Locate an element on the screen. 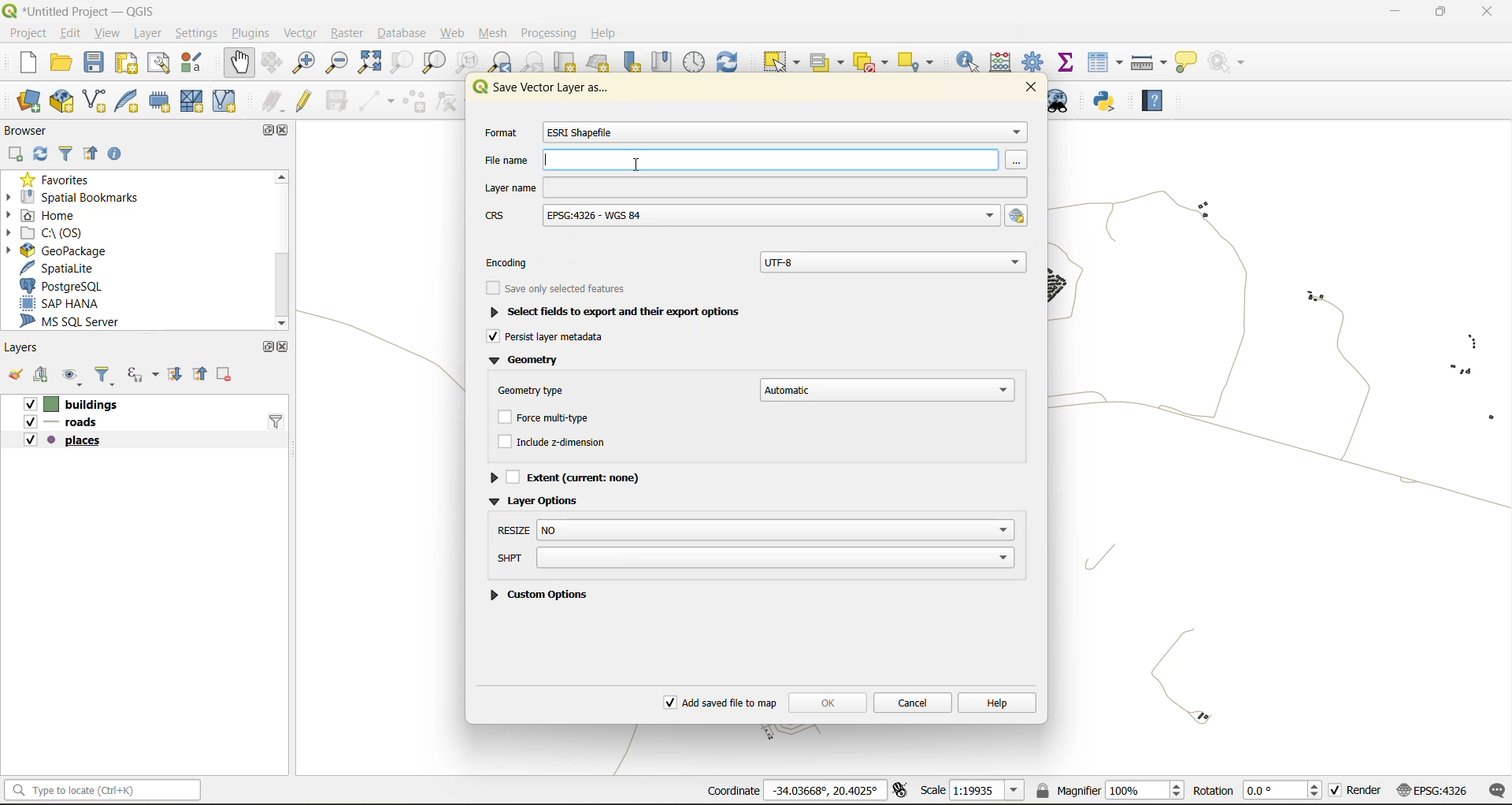 The image size is (1512, 805). Resize is located at coordinates (755, 531).